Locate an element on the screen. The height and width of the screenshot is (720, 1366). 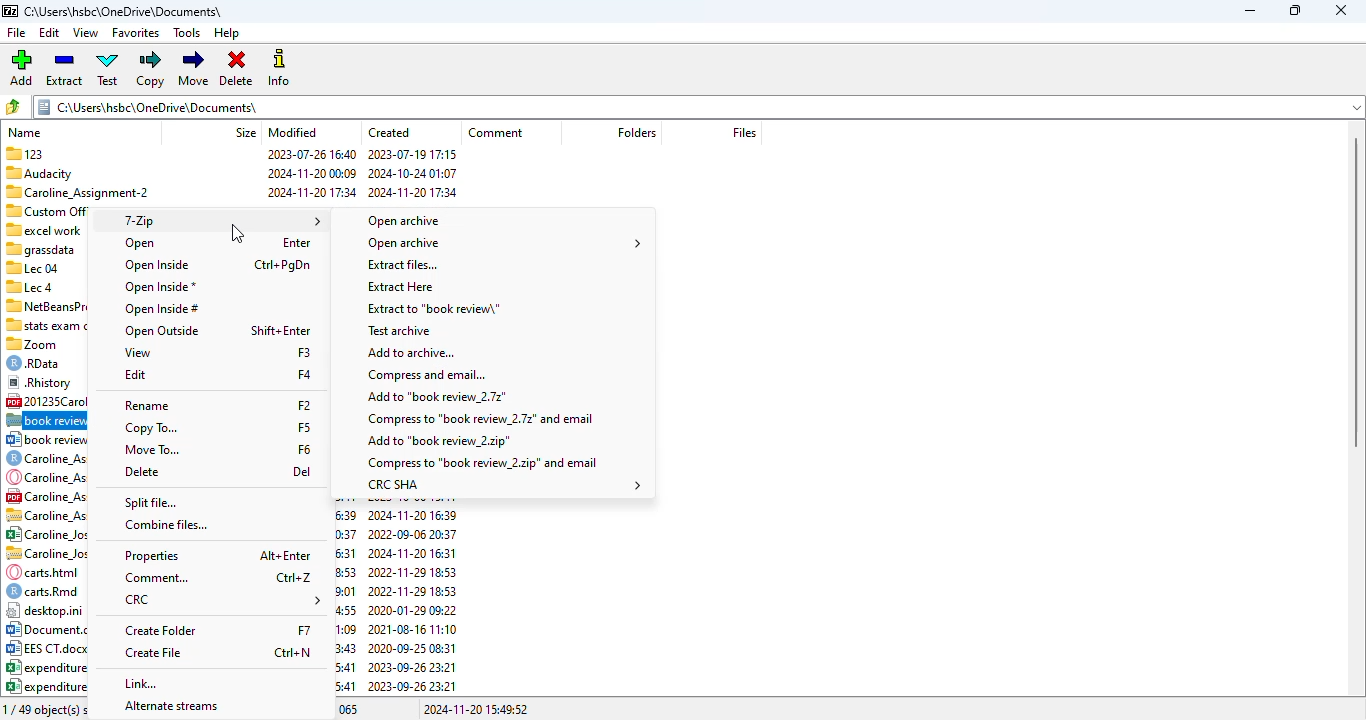
 is located at coordinates (1341, 11).